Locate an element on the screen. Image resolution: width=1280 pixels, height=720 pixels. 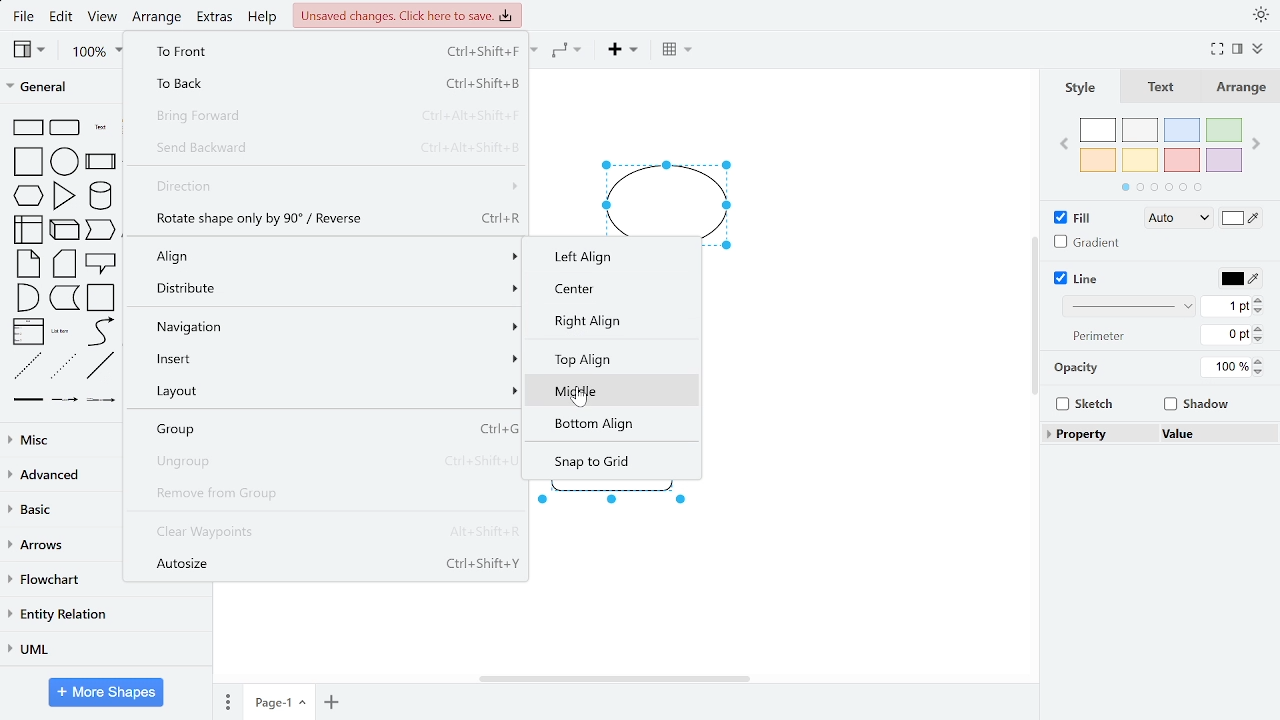
vertical scrollbar is located at coordinates (1032, 314).